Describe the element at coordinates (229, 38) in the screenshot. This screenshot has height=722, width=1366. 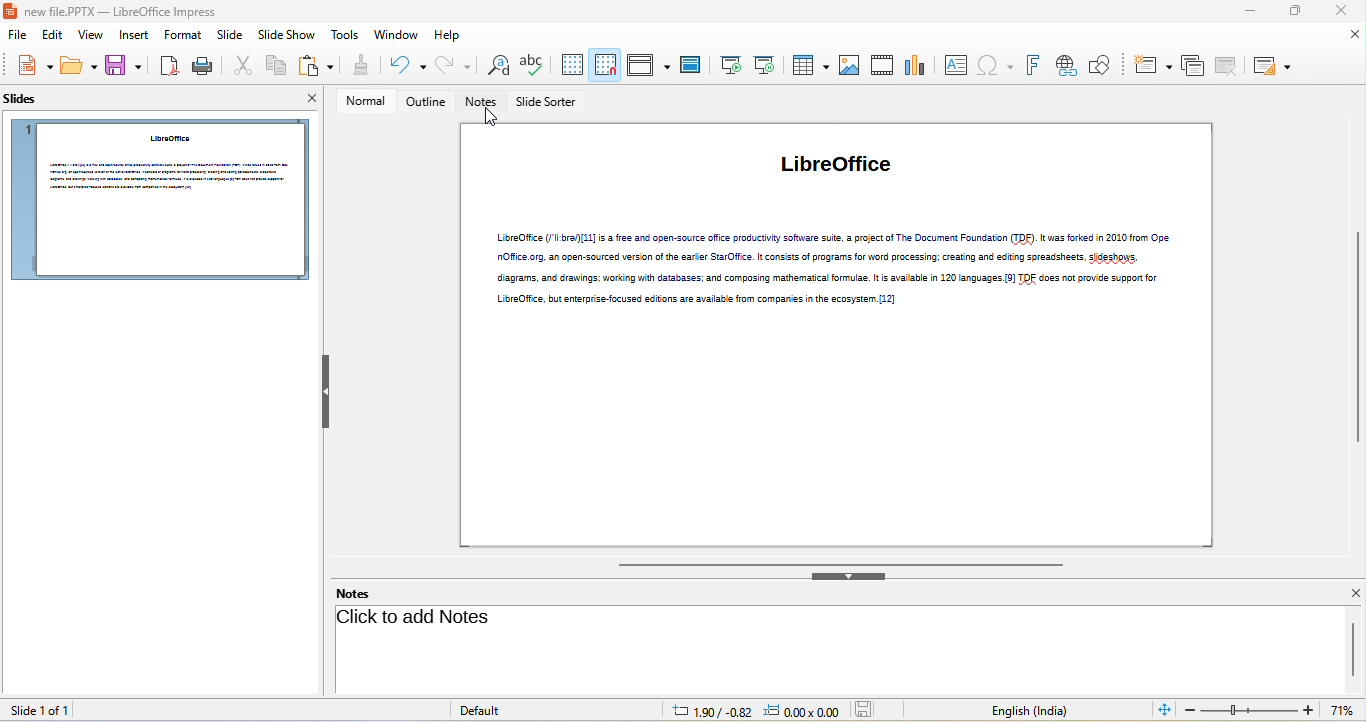
I see `slide` at that location.